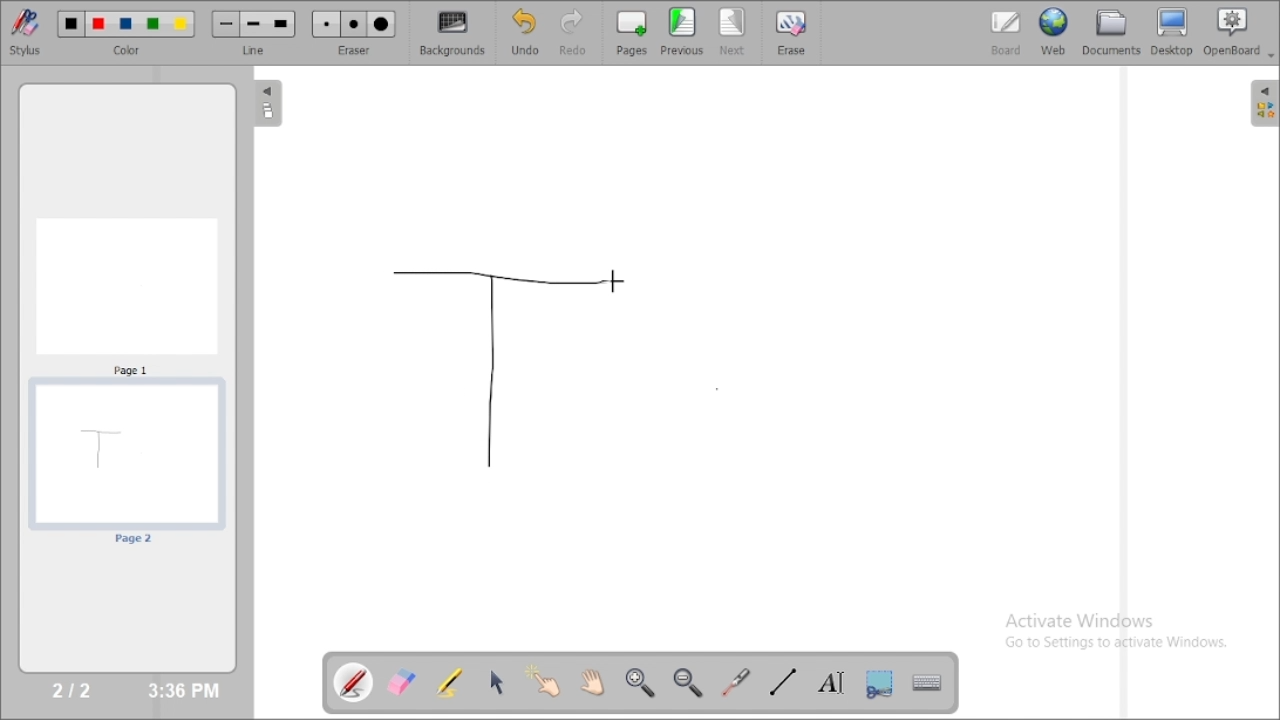  I want to click on display virtual keyboard, so click(926, 682).